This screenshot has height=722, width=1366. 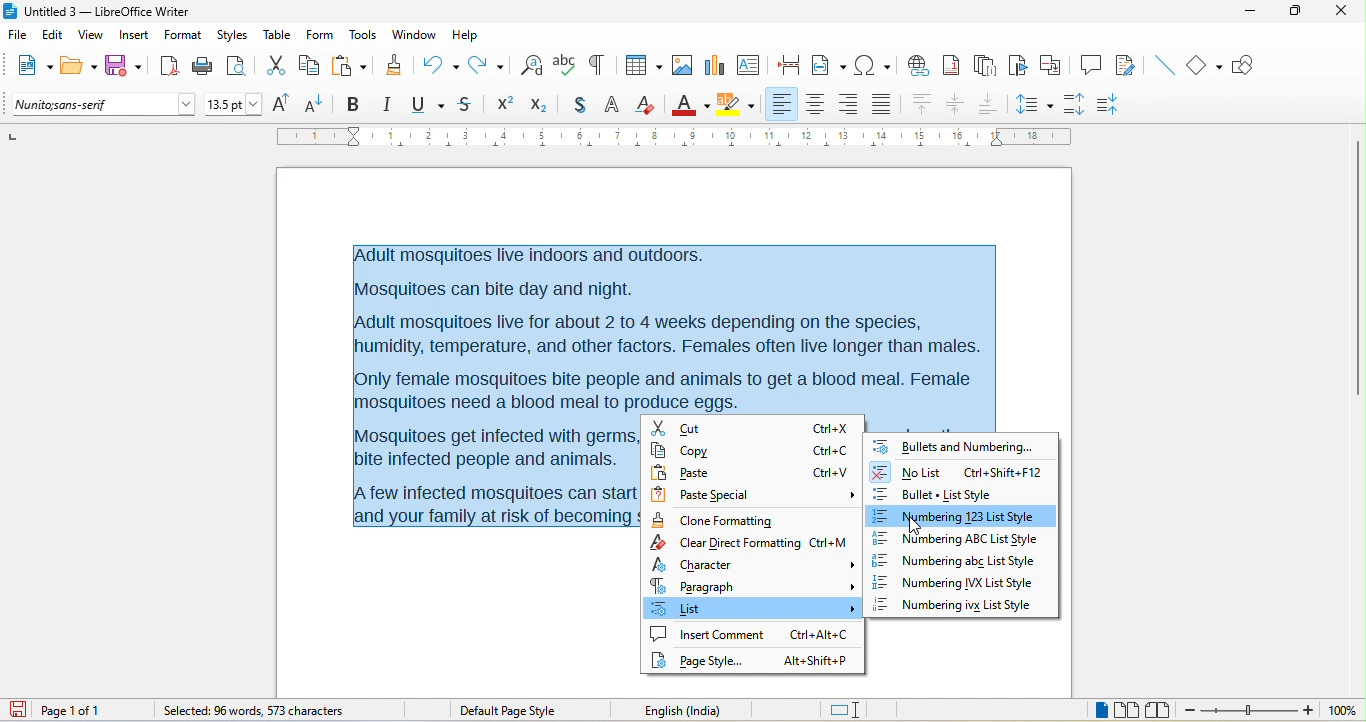 I want to click on copy, so click(x=312, y=65).